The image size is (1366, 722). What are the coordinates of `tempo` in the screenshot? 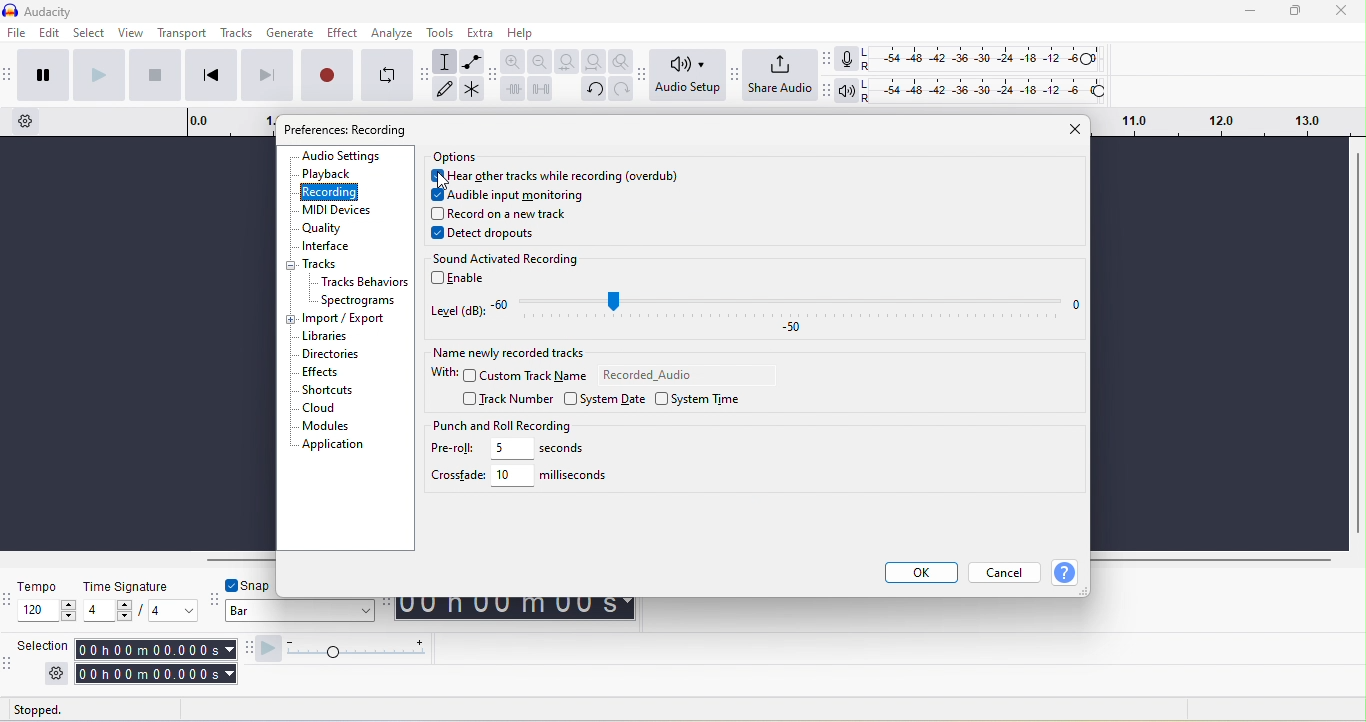 It's located at (49, 603).